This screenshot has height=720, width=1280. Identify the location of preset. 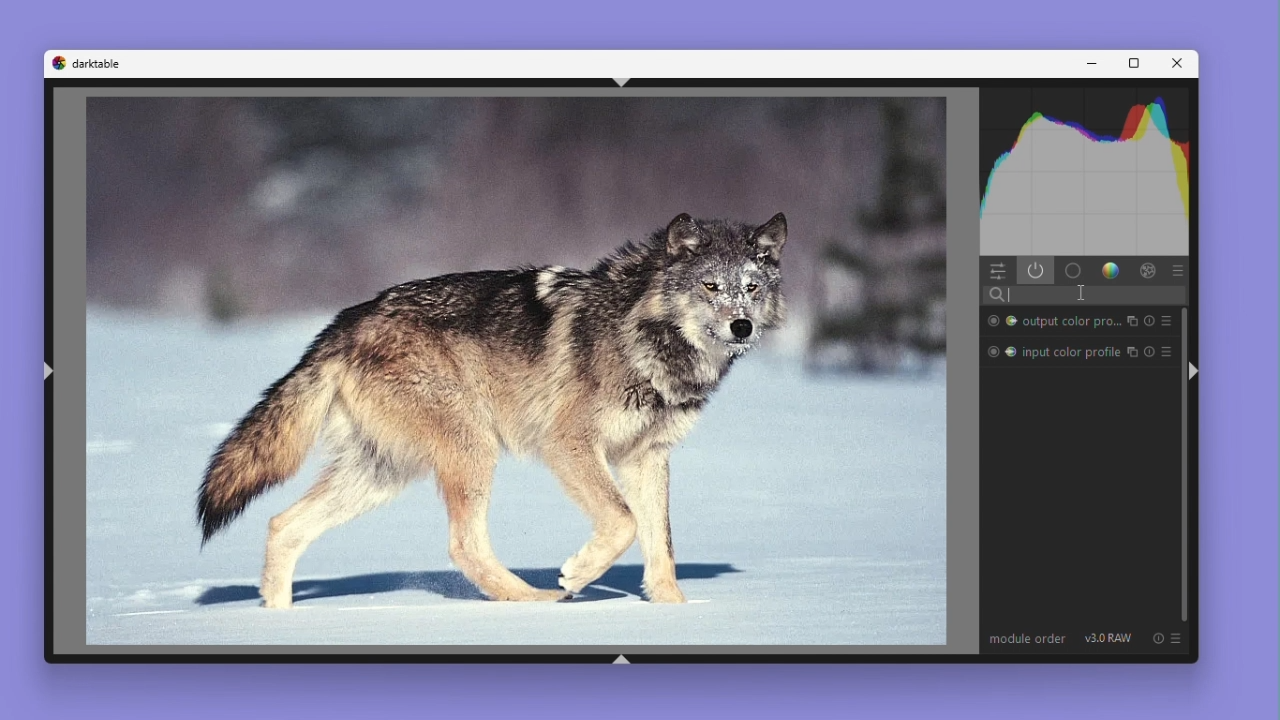
(1178, 638).